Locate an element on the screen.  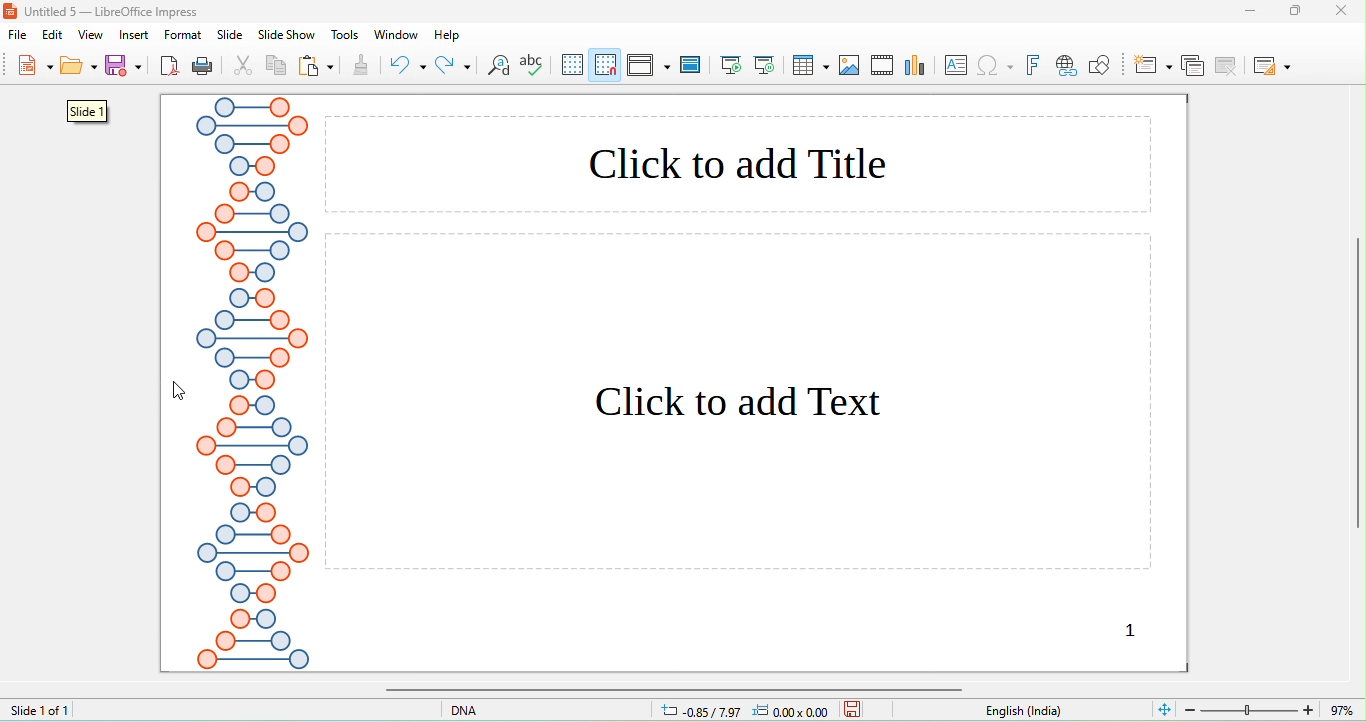
chart is located at coordinates (850, 66).